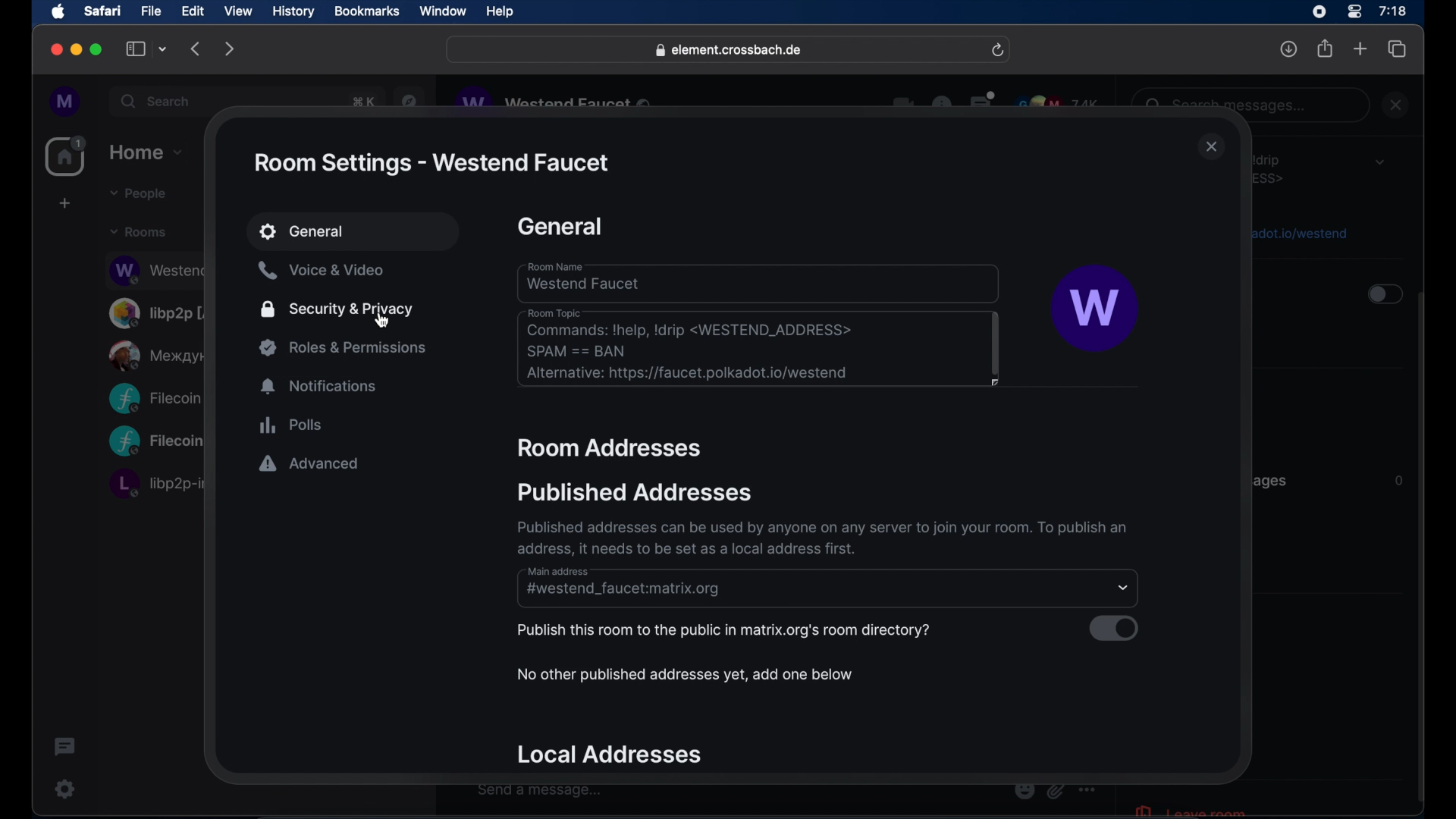  Describe the element at coordinates (230, 49) in the screenshot. I see `forward` at that location.